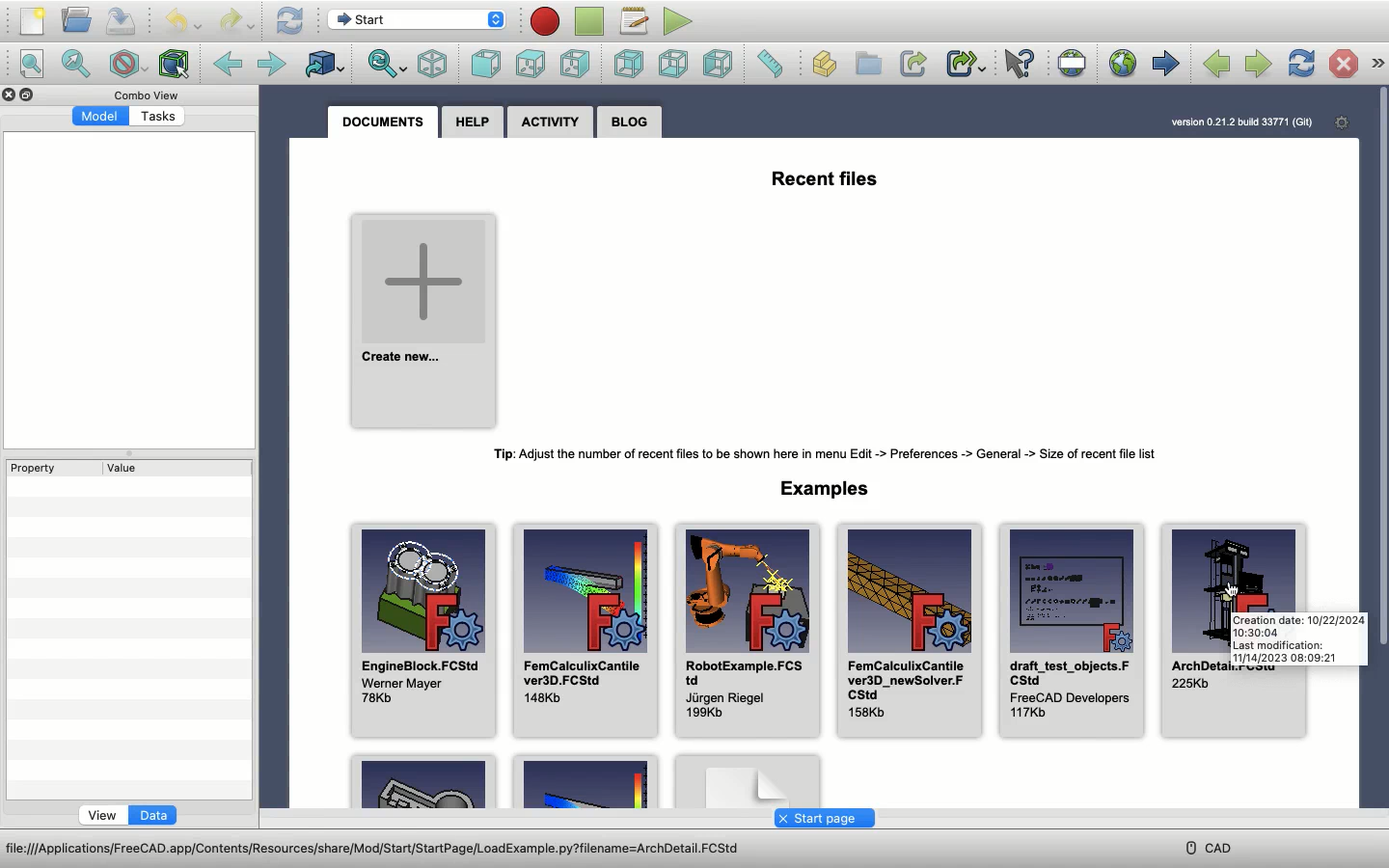 This screenshot has width=1389, height=868. What do you see at coordinates (1018, 64) in the screenshot?
I see `What's this?` at bounding box center [1018, 64].